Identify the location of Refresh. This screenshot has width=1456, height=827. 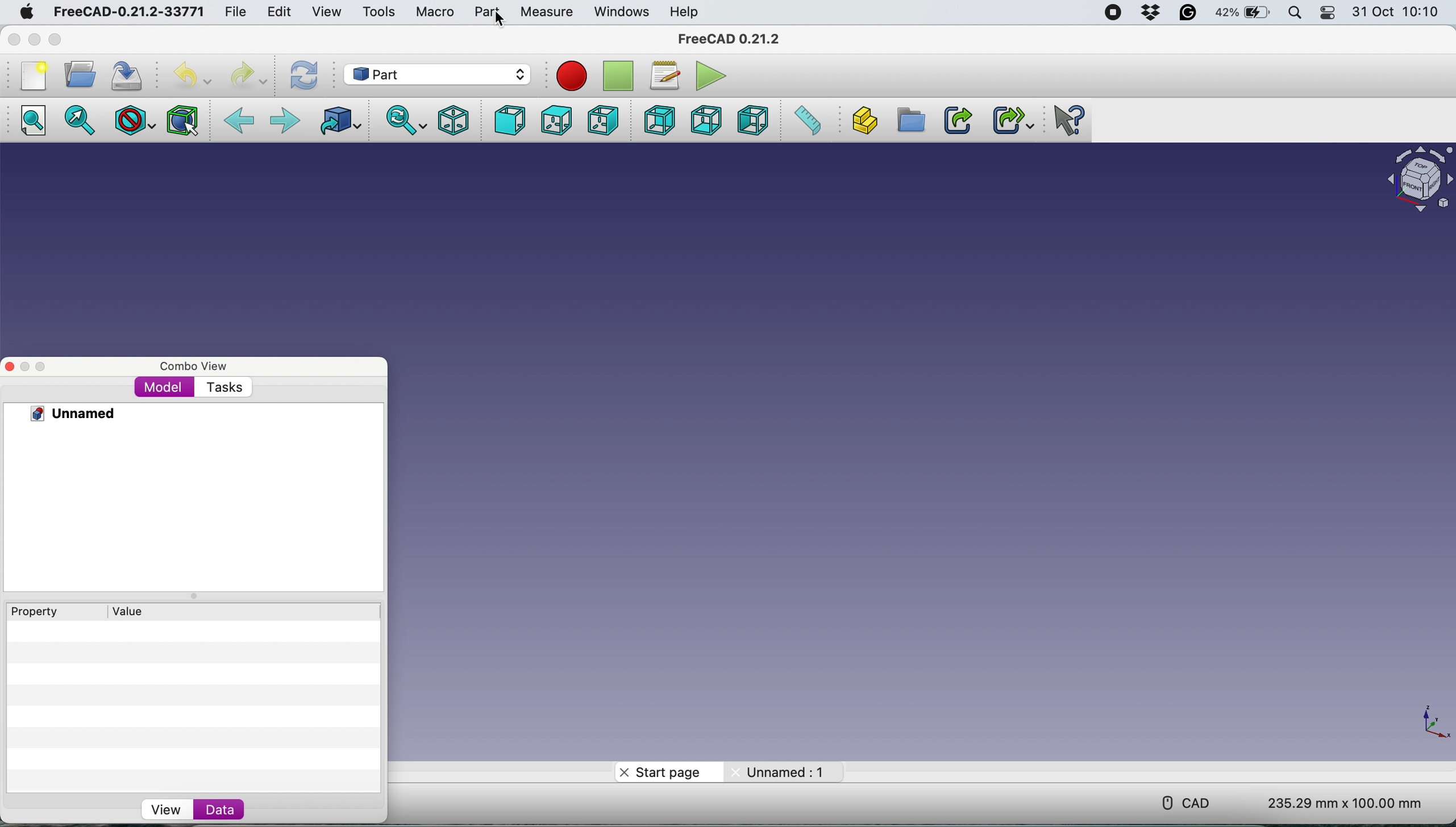
(304, 76).